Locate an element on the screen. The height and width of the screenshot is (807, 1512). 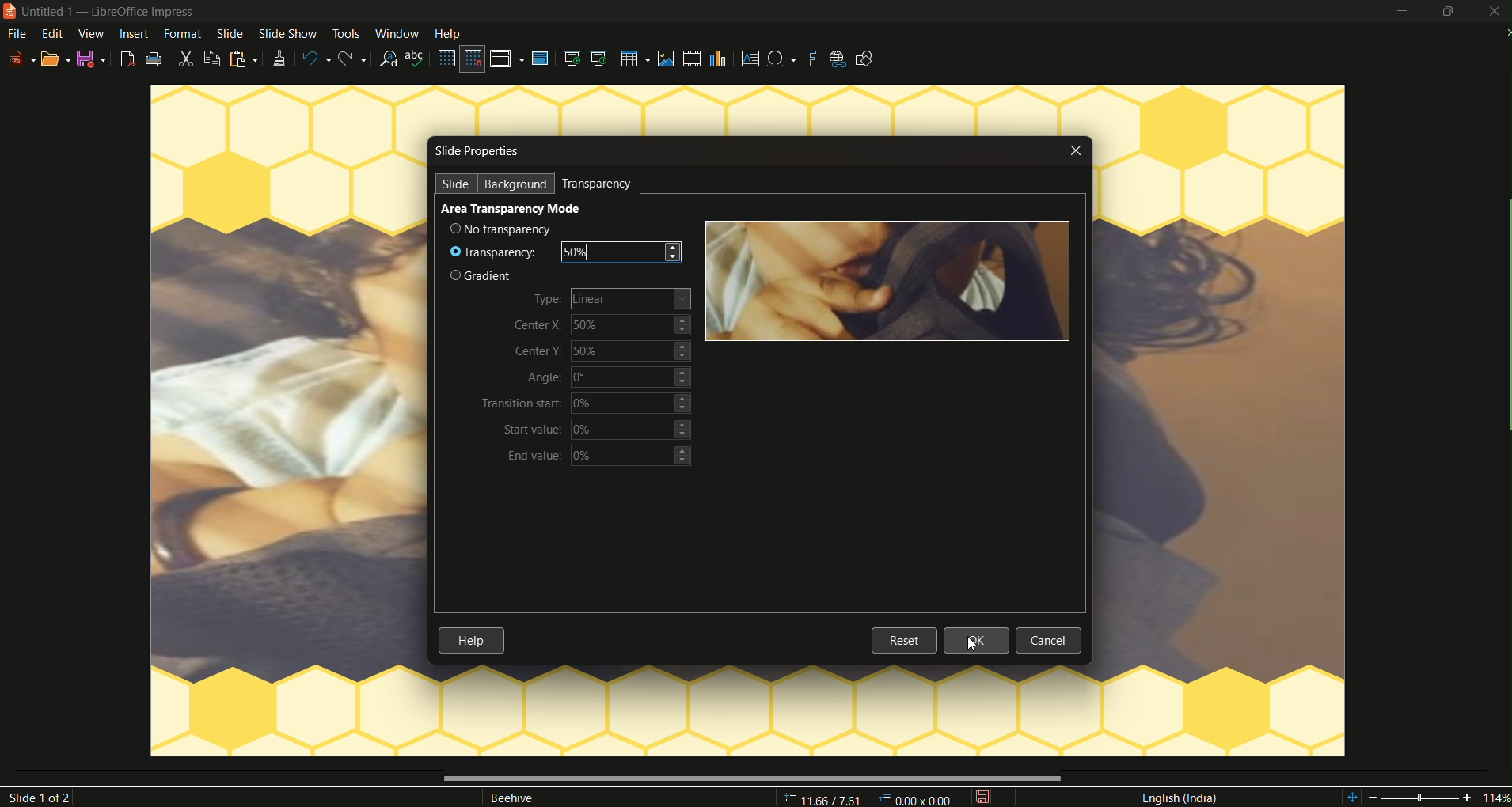
print is located at coordinates (155, 59).